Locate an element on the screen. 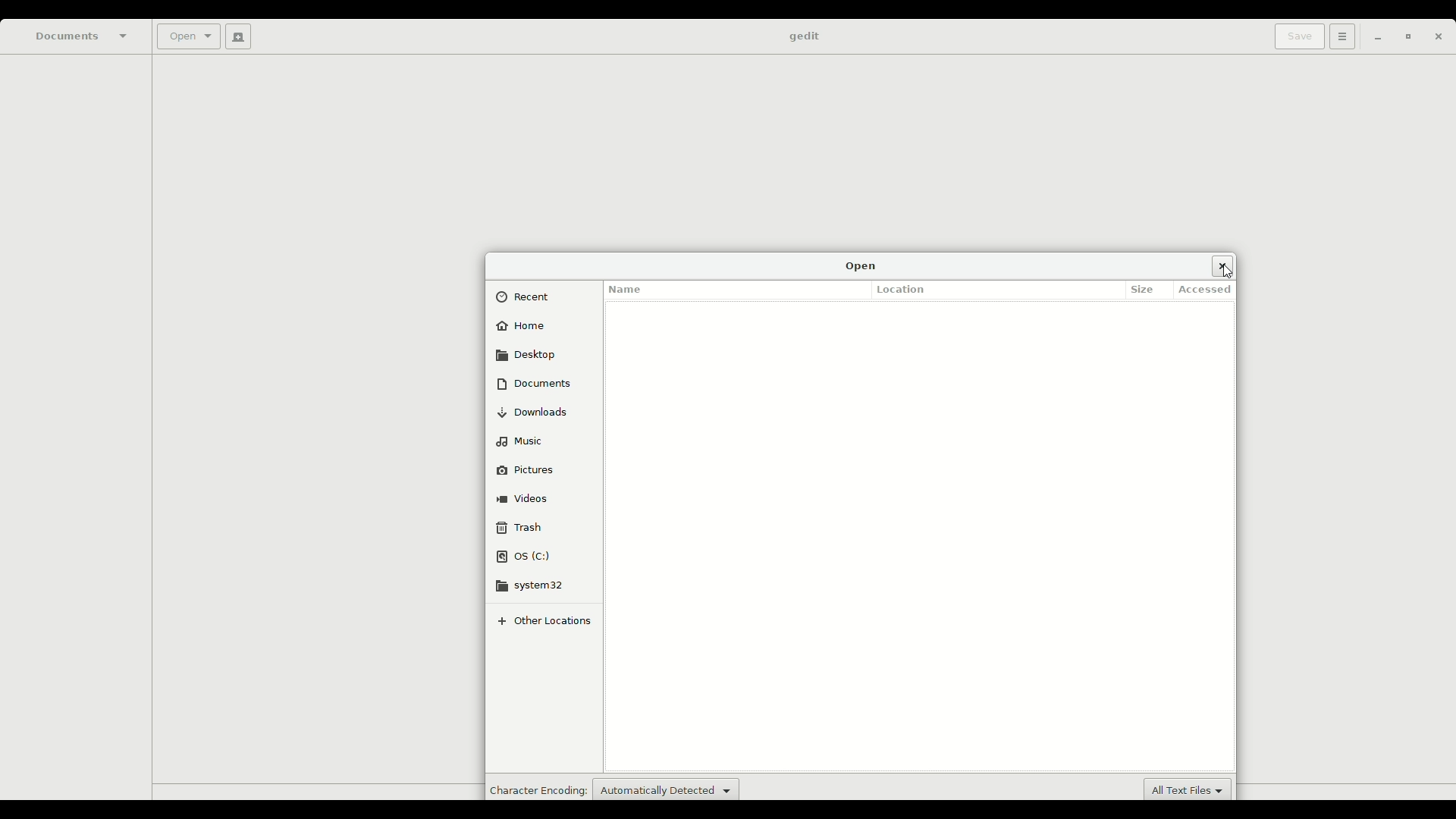  Character encoding is located at coordinates (536, 789).